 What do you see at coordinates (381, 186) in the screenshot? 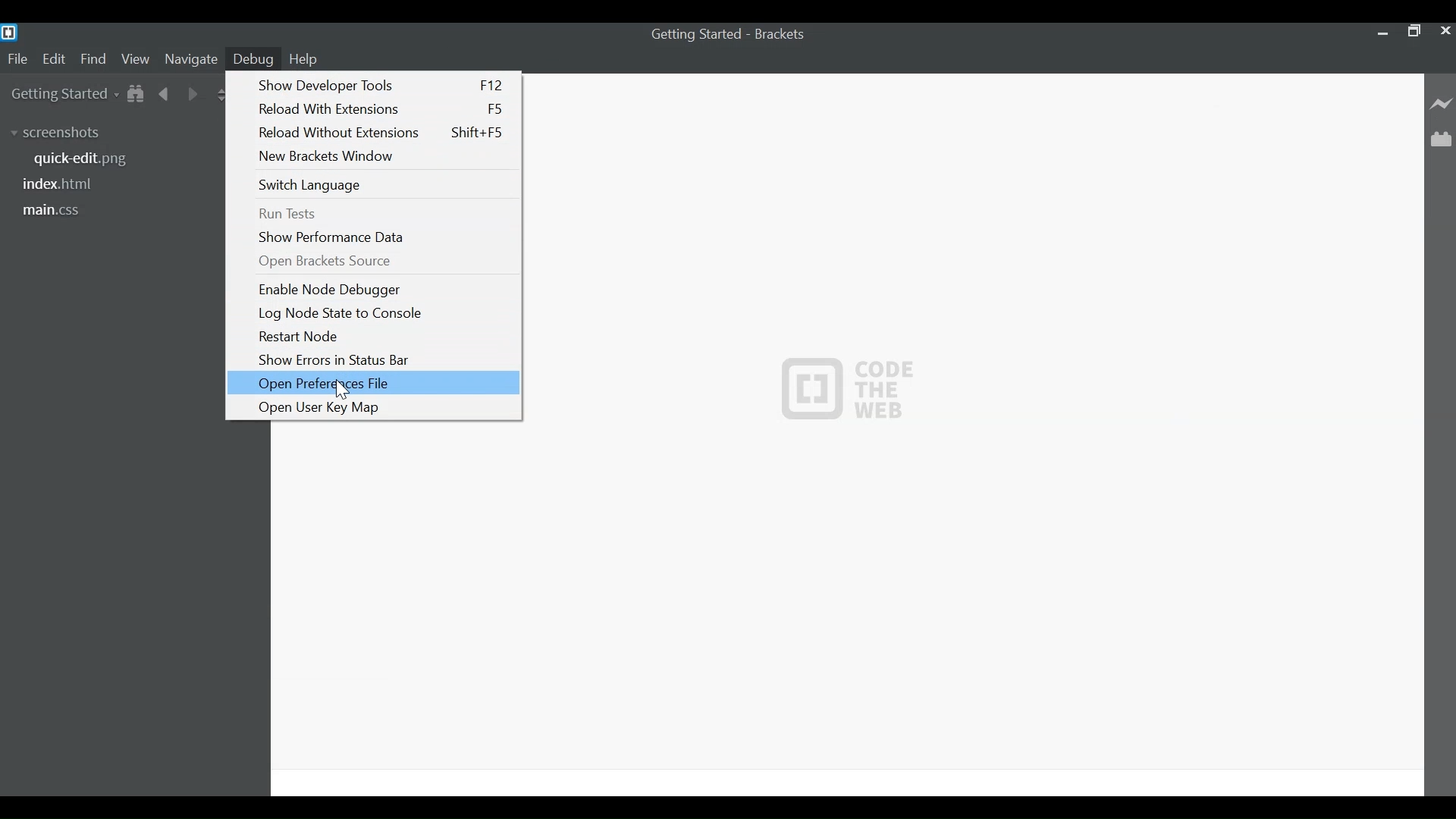
I see `Switch Language` at bounding box center [381, 186].